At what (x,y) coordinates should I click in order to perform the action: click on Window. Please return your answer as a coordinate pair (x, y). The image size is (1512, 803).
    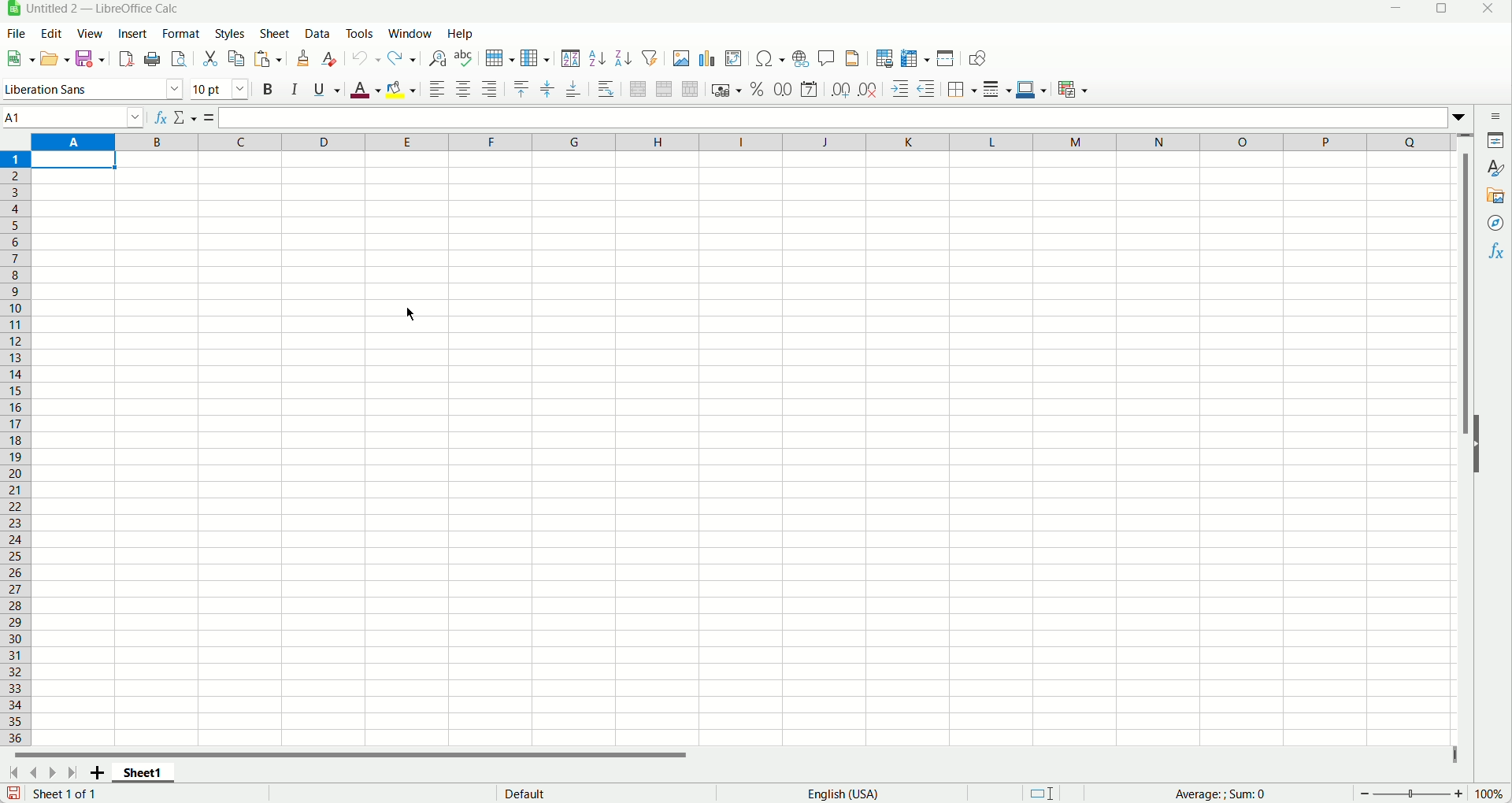
    Looking at the image, I should click on (411, 33).